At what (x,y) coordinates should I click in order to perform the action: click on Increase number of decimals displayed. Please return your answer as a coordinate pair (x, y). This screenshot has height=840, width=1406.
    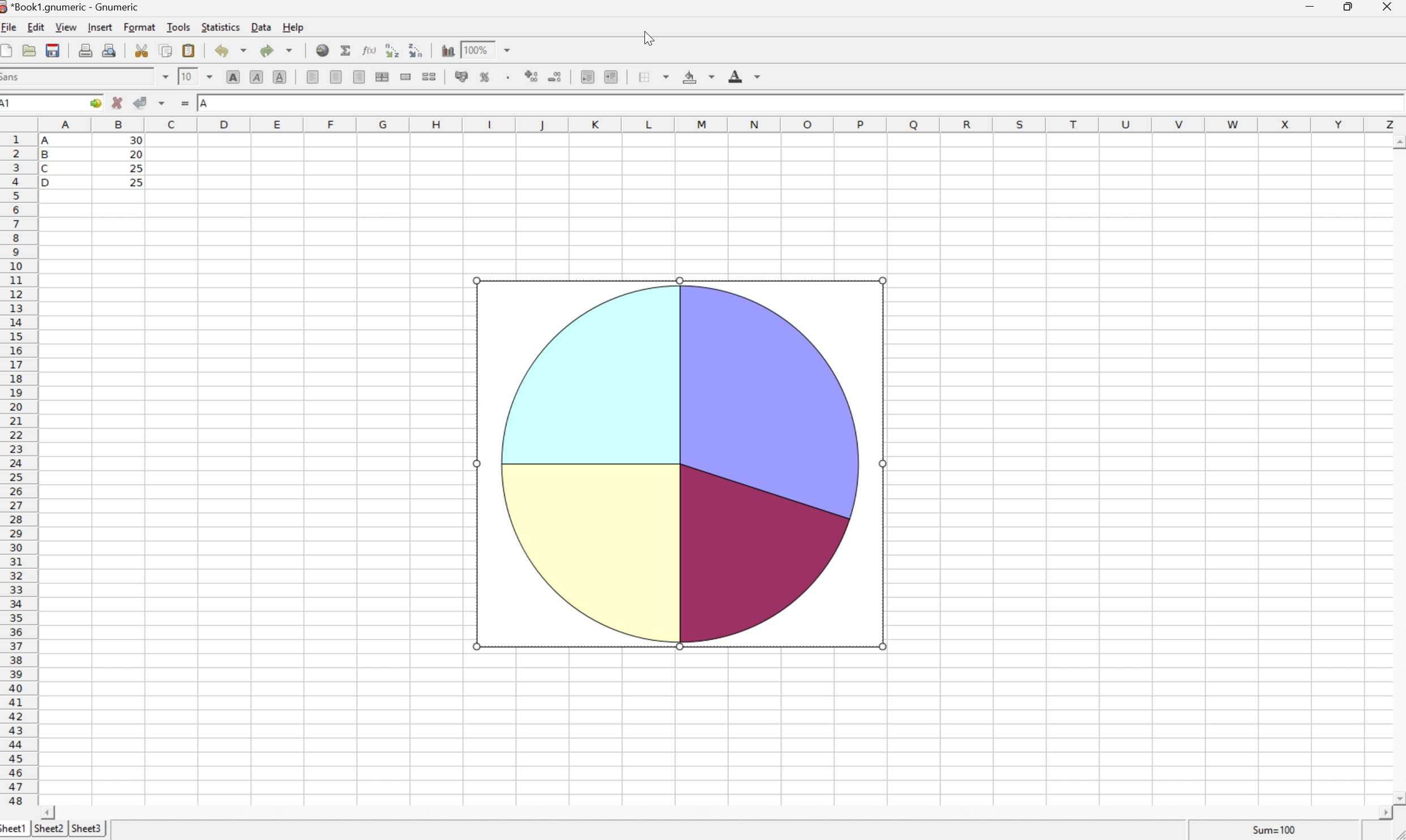
    Looking at the image, I should click on (532, 78).